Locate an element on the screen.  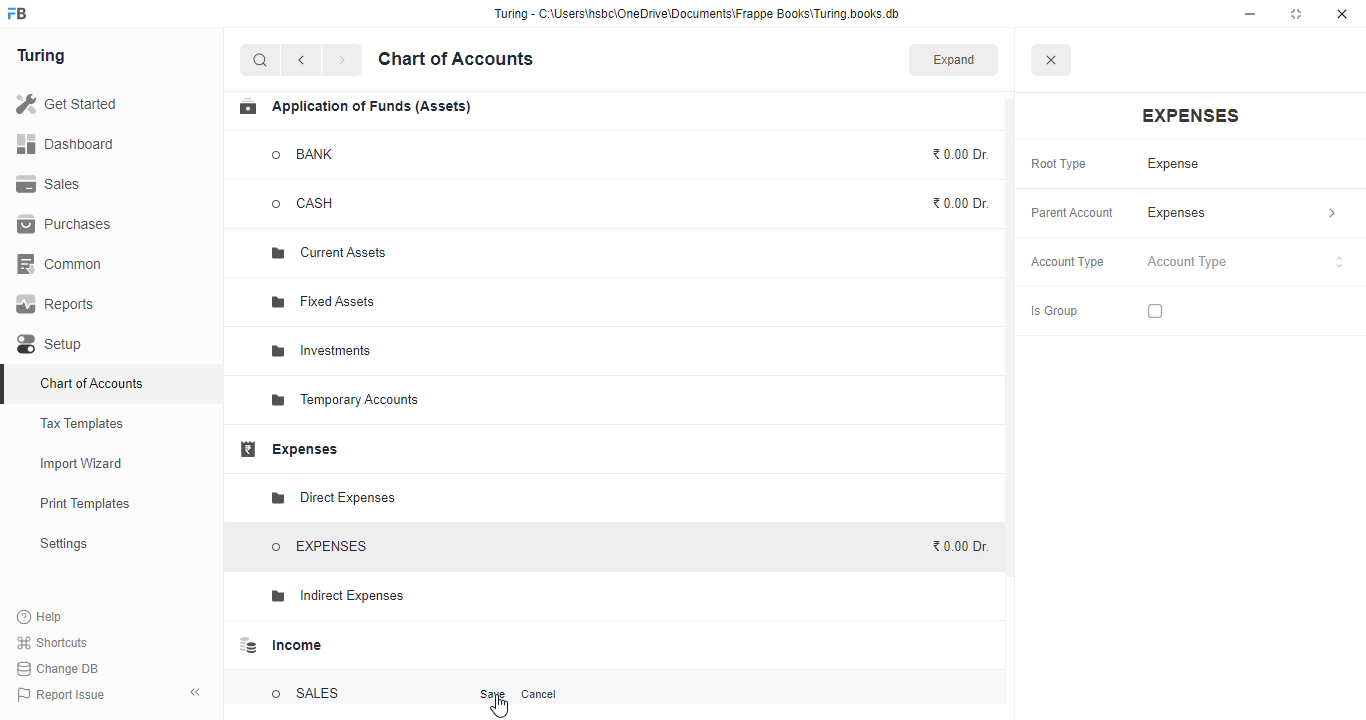
BANK  is located at coordinates (304, 154).